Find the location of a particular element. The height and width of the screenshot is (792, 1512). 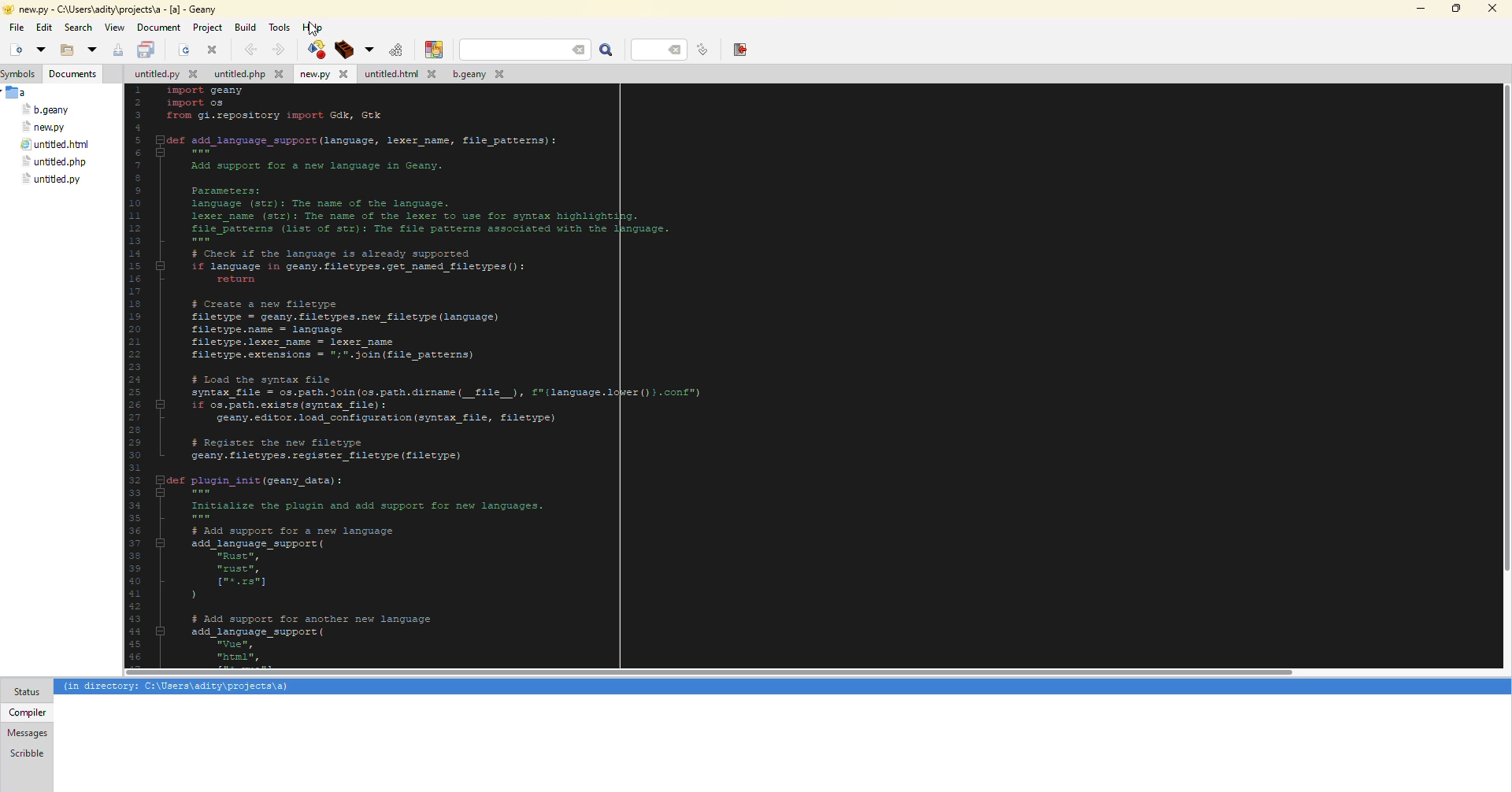

forward is located at coordinates (276, 50).